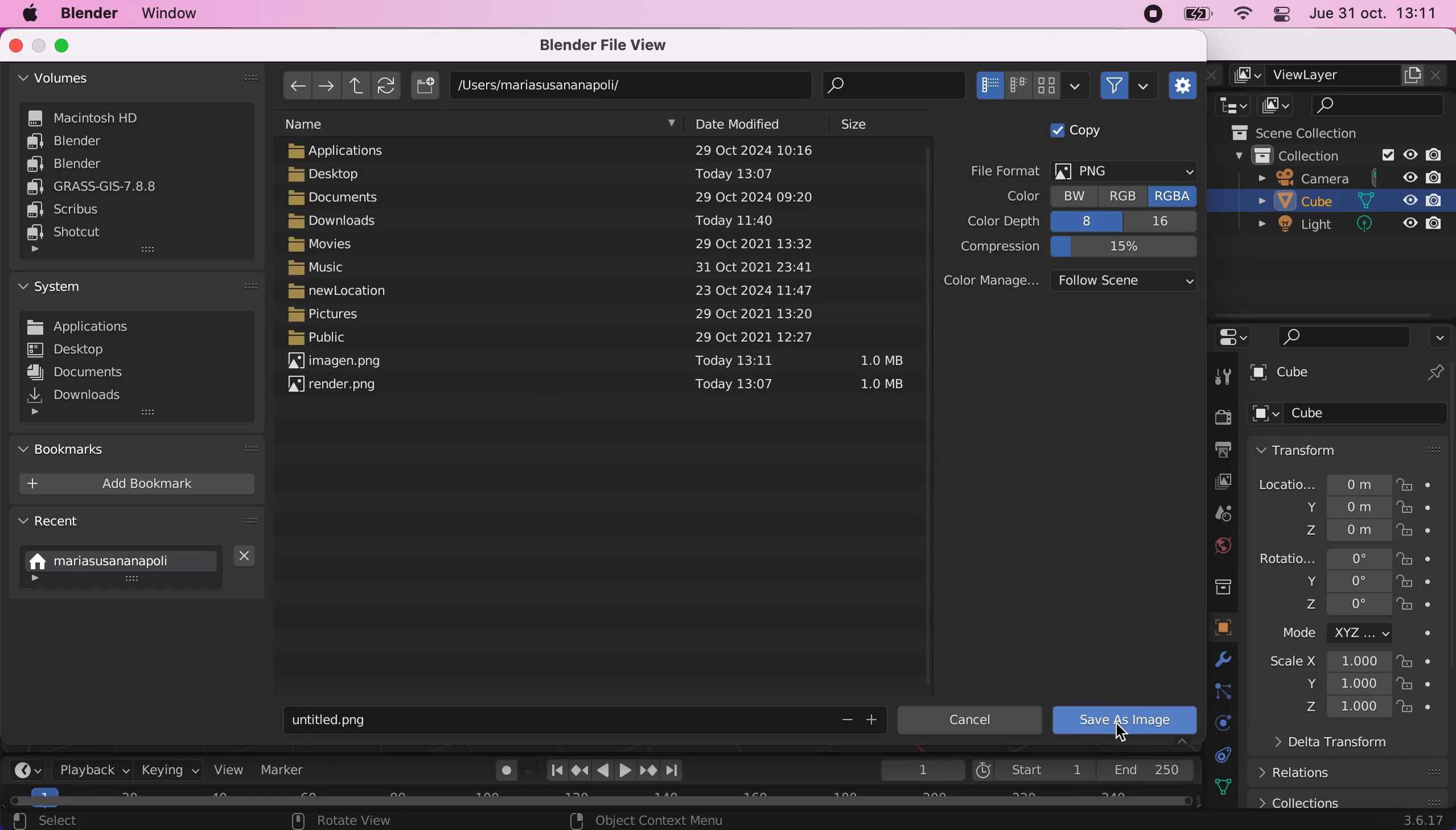 The width and height of the screenshot is (1456, 830). I want to click on filter files, so click(1130, 86).